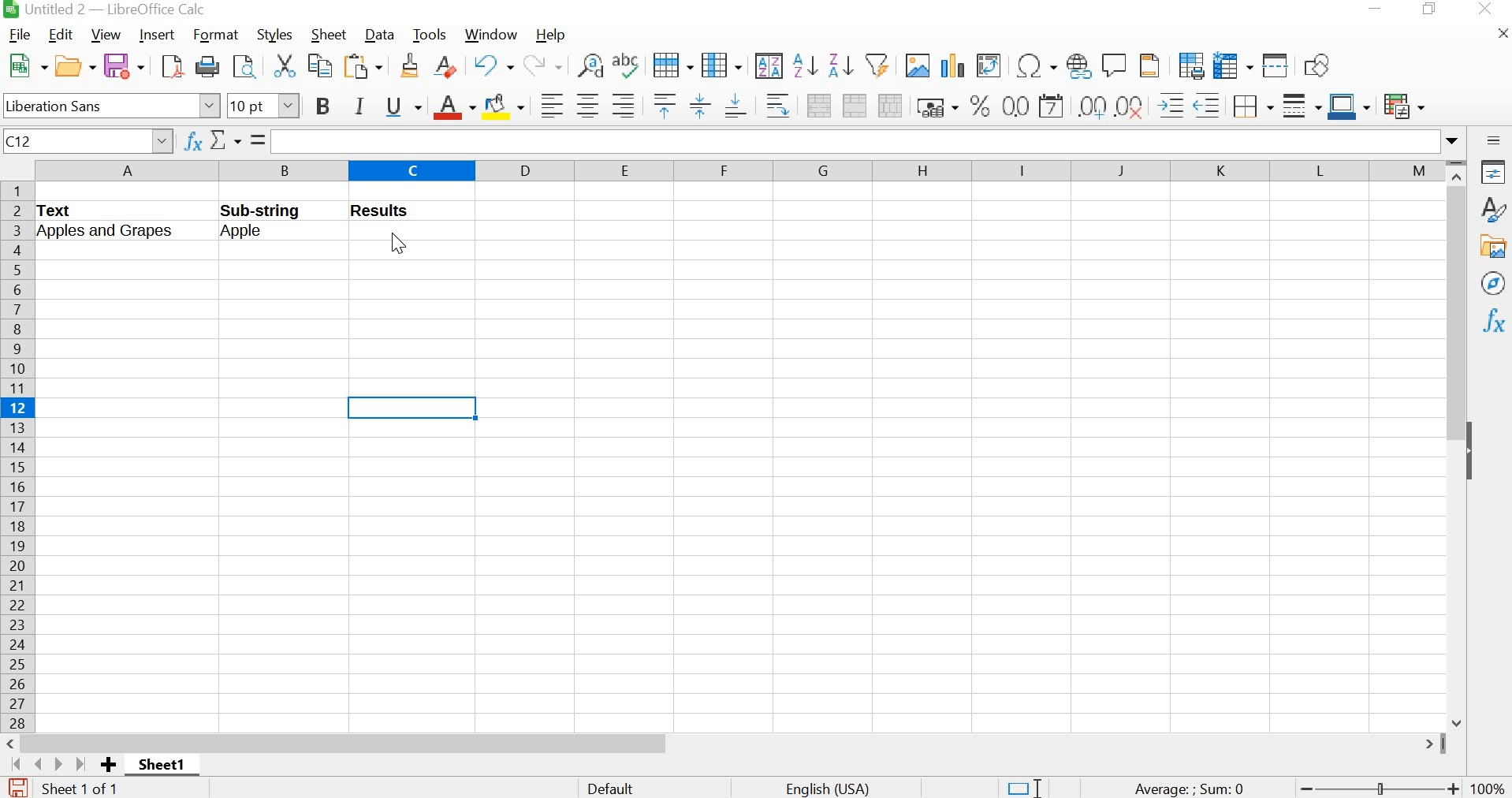  What do you see at coordinates (326, 35) in the screenshot?
I see `sheet` at bounding box center [326, 35].